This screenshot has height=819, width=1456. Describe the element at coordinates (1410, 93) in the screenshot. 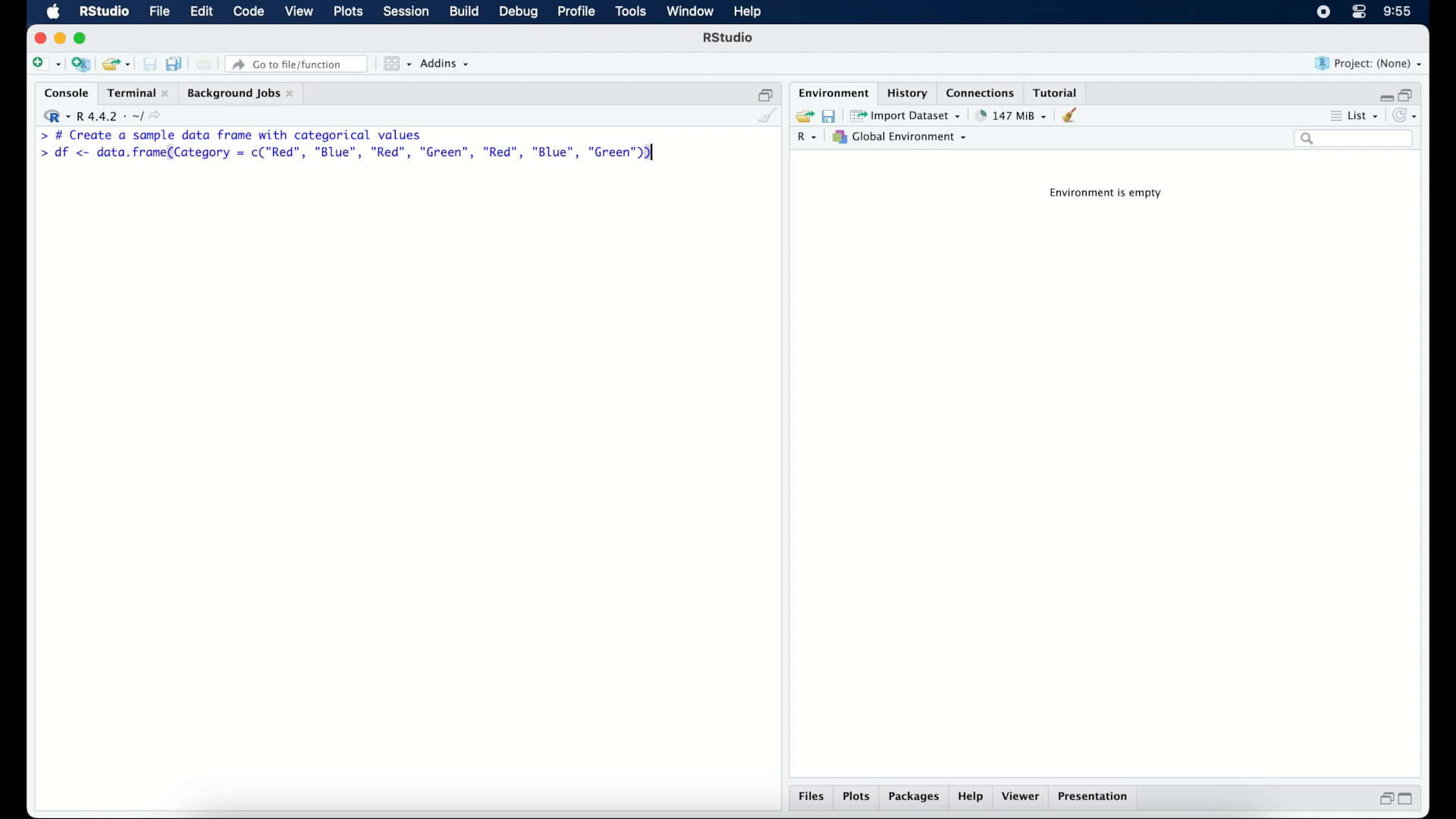

I see `restore down` at that location.